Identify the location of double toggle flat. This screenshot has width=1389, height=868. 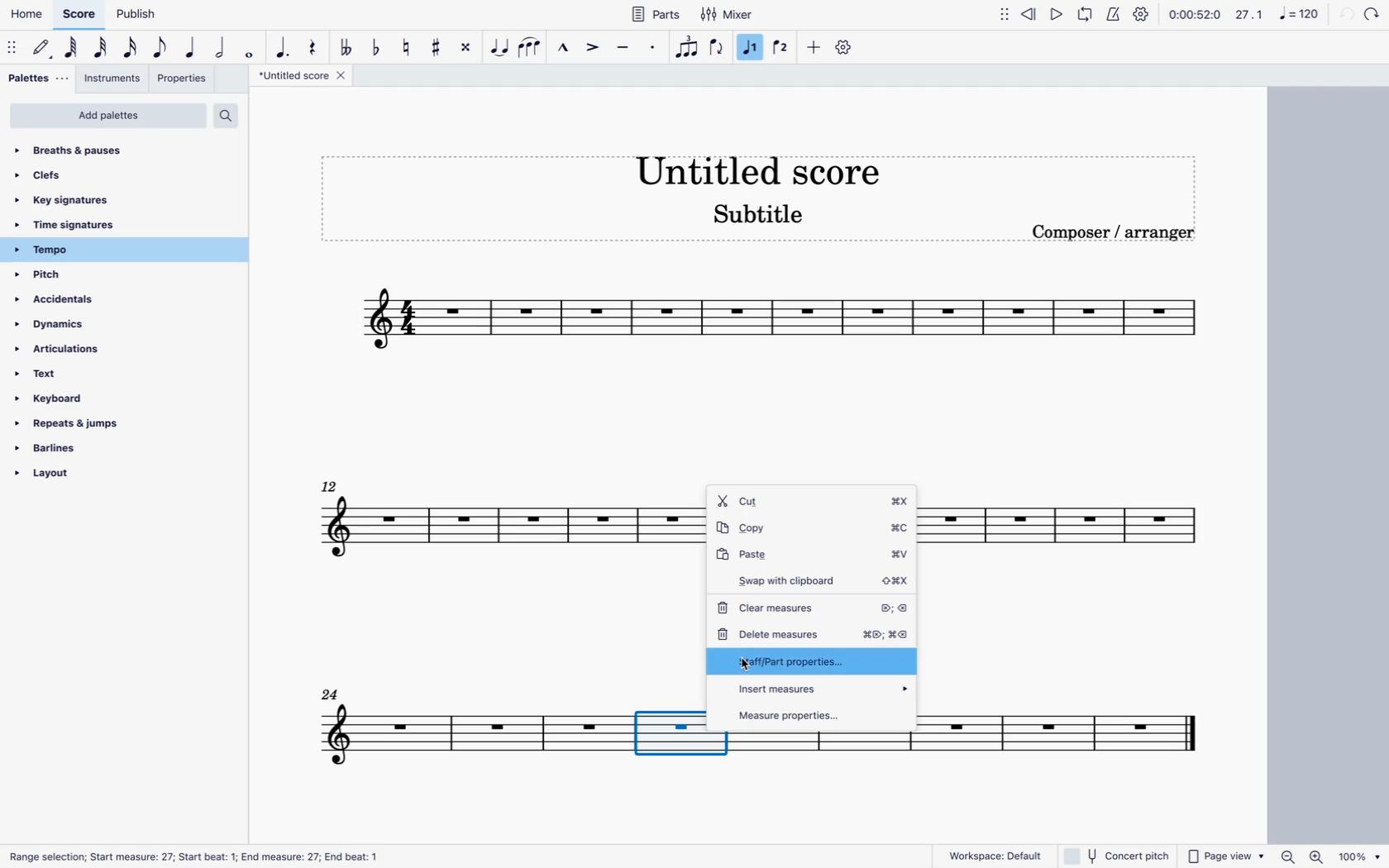
(346, 48).